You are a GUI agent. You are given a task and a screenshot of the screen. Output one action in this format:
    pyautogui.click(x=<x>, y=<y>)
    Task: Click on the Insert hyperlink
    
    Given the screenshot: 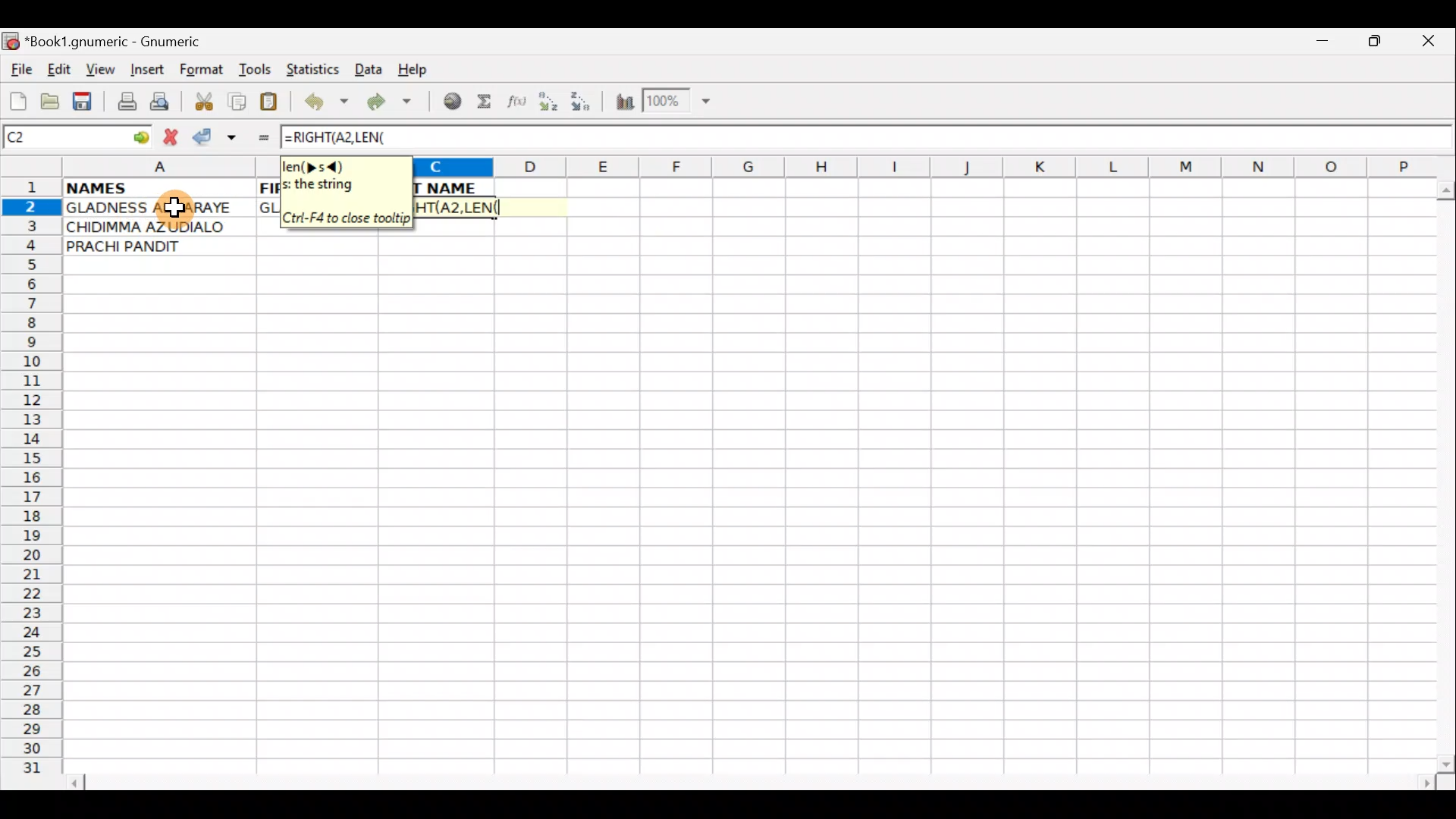 What is the action you would take?
    pyautogui.click(x=450, y=102)
    